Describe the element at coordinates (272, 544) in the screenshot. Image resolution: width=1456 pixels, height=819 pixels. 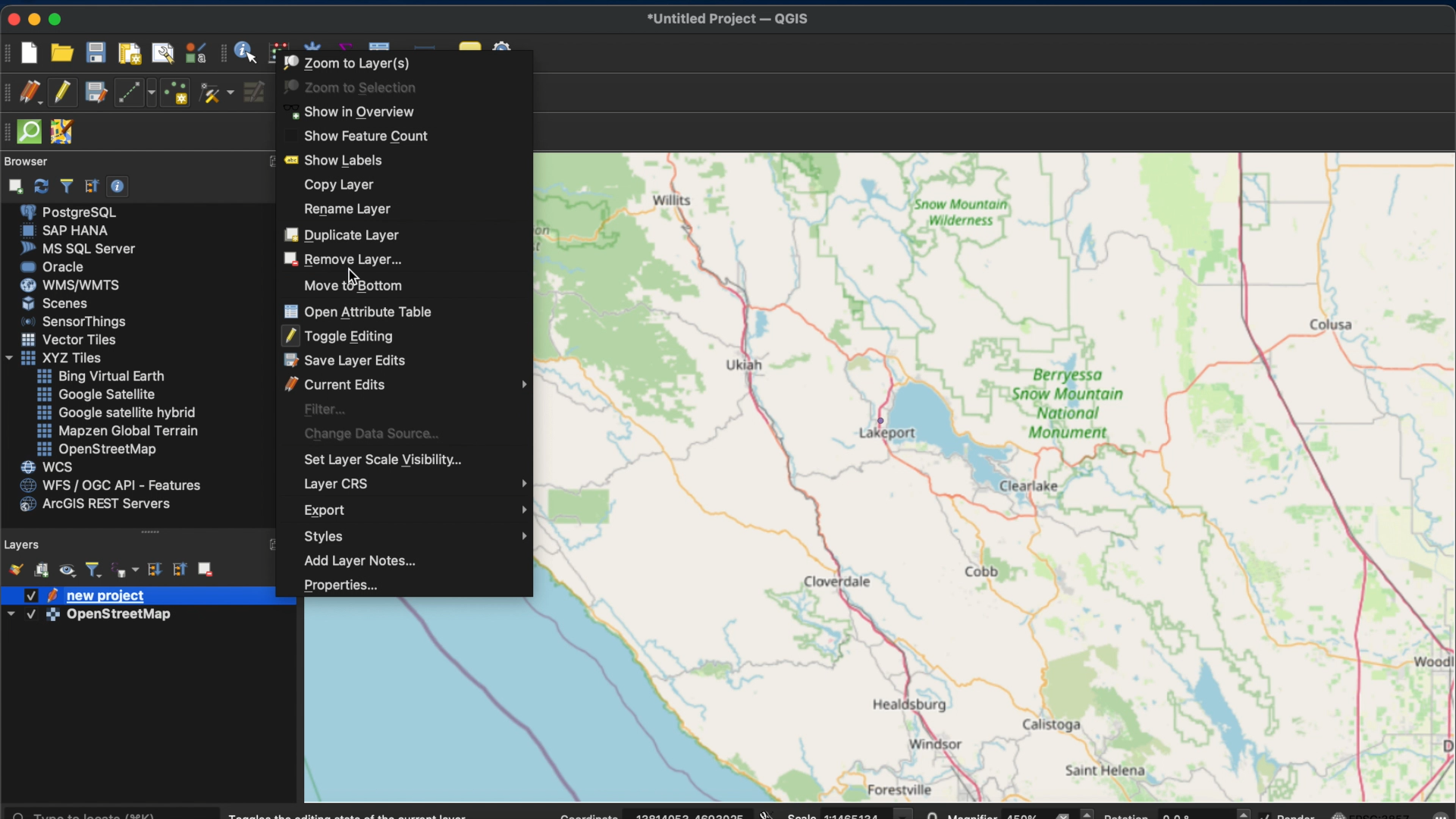
I see `expand` at that location.